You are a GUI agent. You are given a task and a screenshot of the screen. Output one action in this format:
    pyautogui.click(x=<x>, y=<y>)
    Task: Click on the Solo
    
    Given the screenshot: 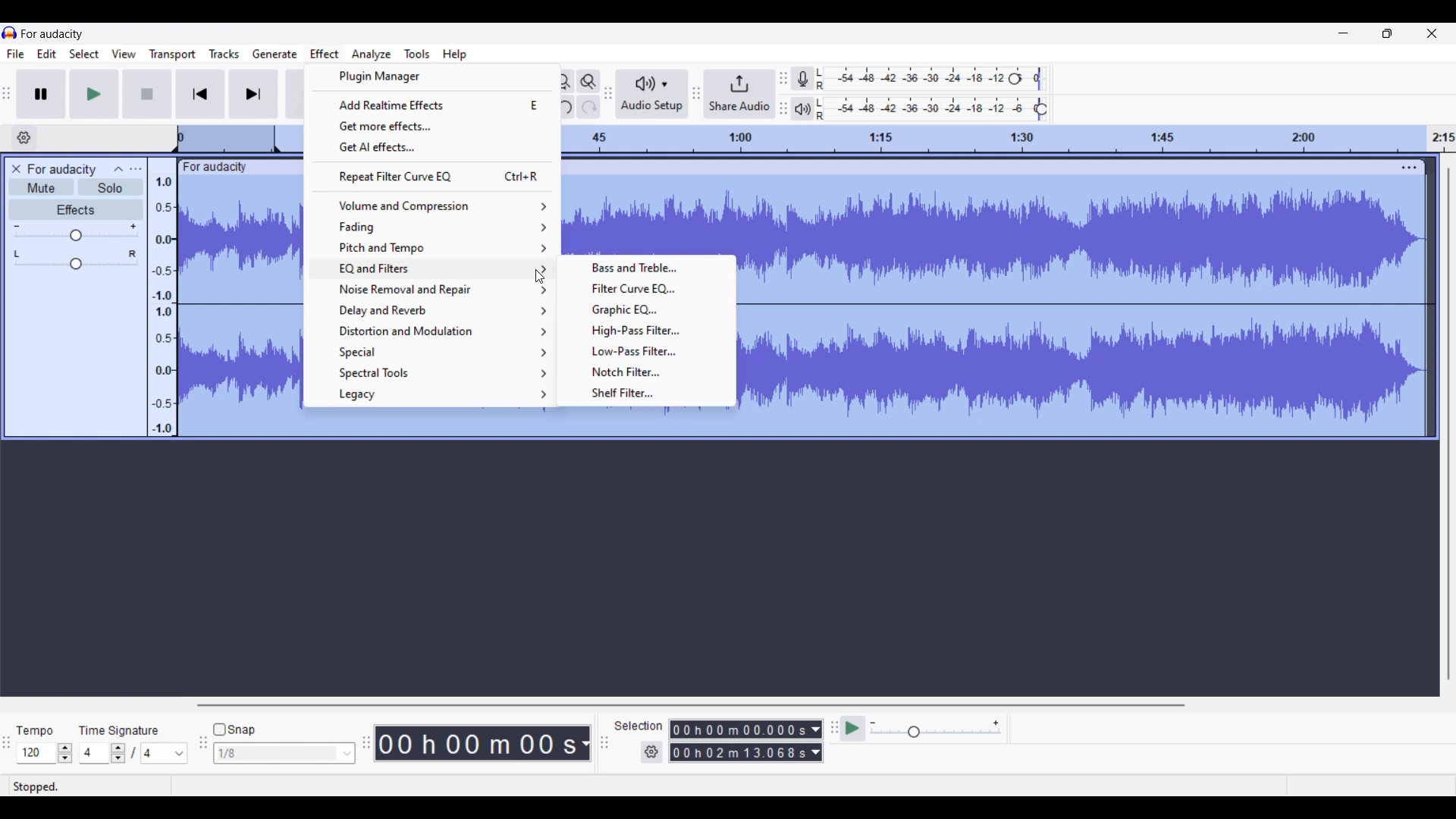 What is the action you would take?
    pyautogui.click(x=111, y=187)
    